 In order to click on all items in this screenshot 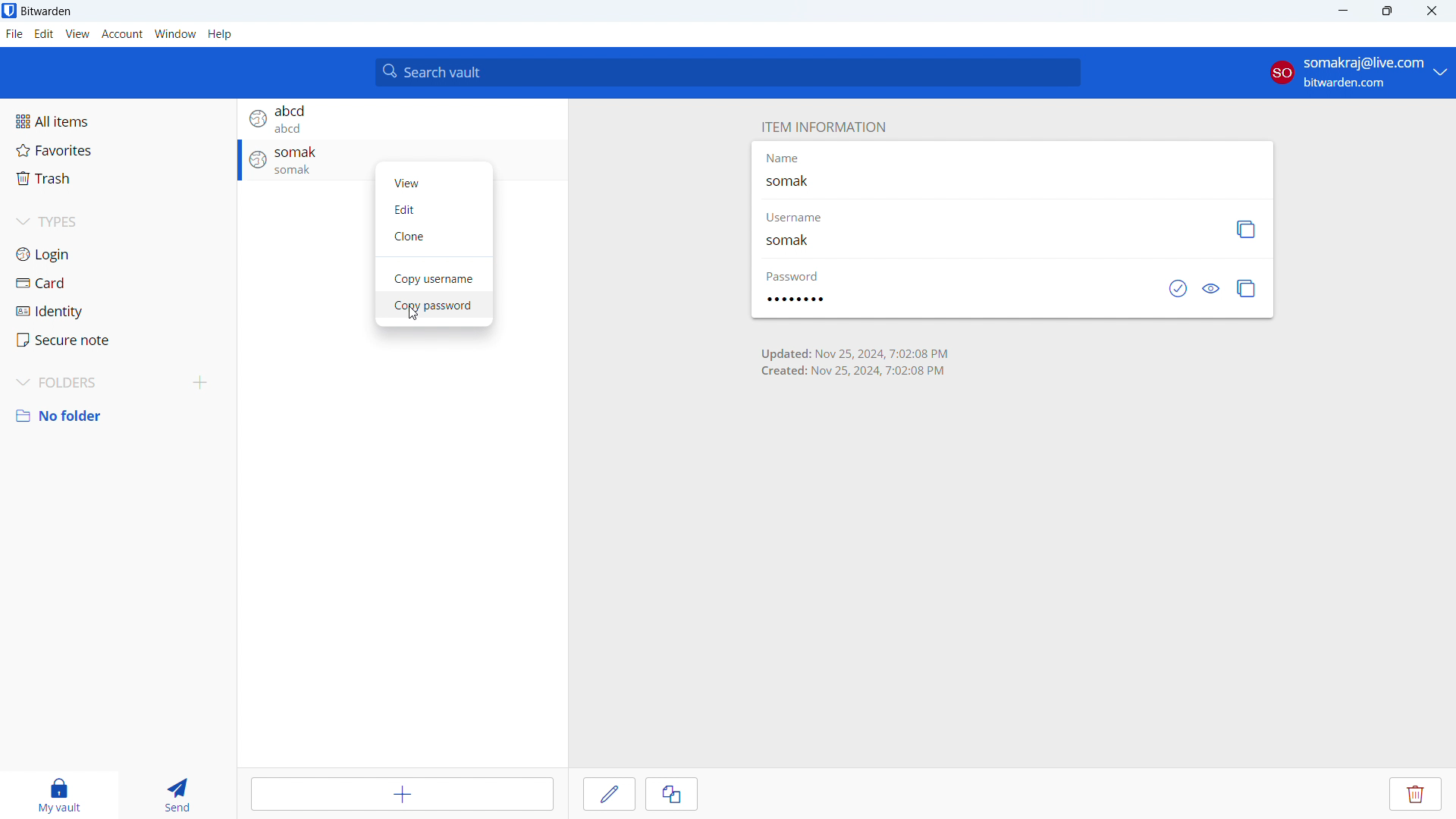, I will do `click(117, 121)`.